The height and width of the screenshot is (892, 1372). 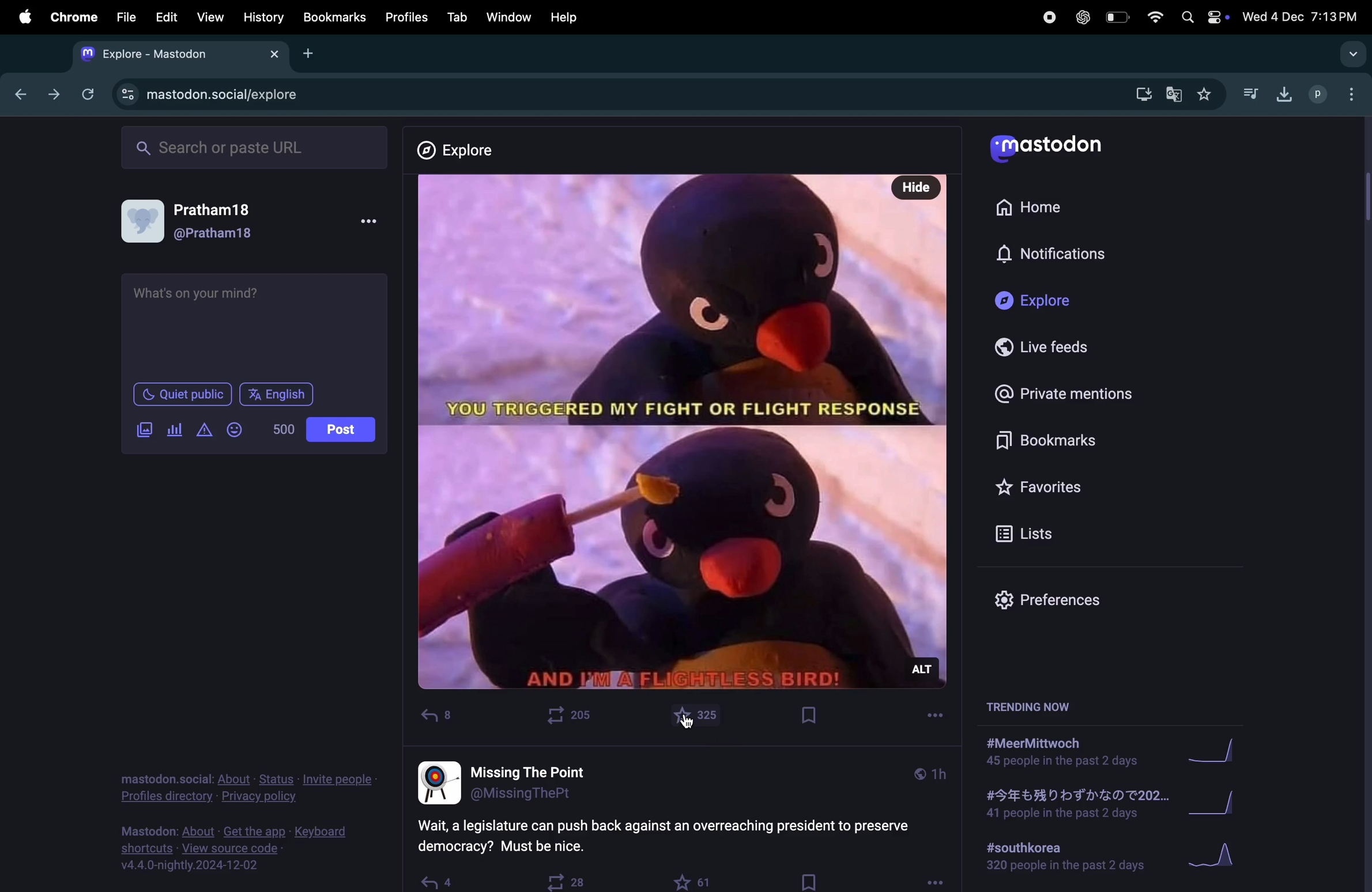 I want to click on , so click(x=1349, y=54).